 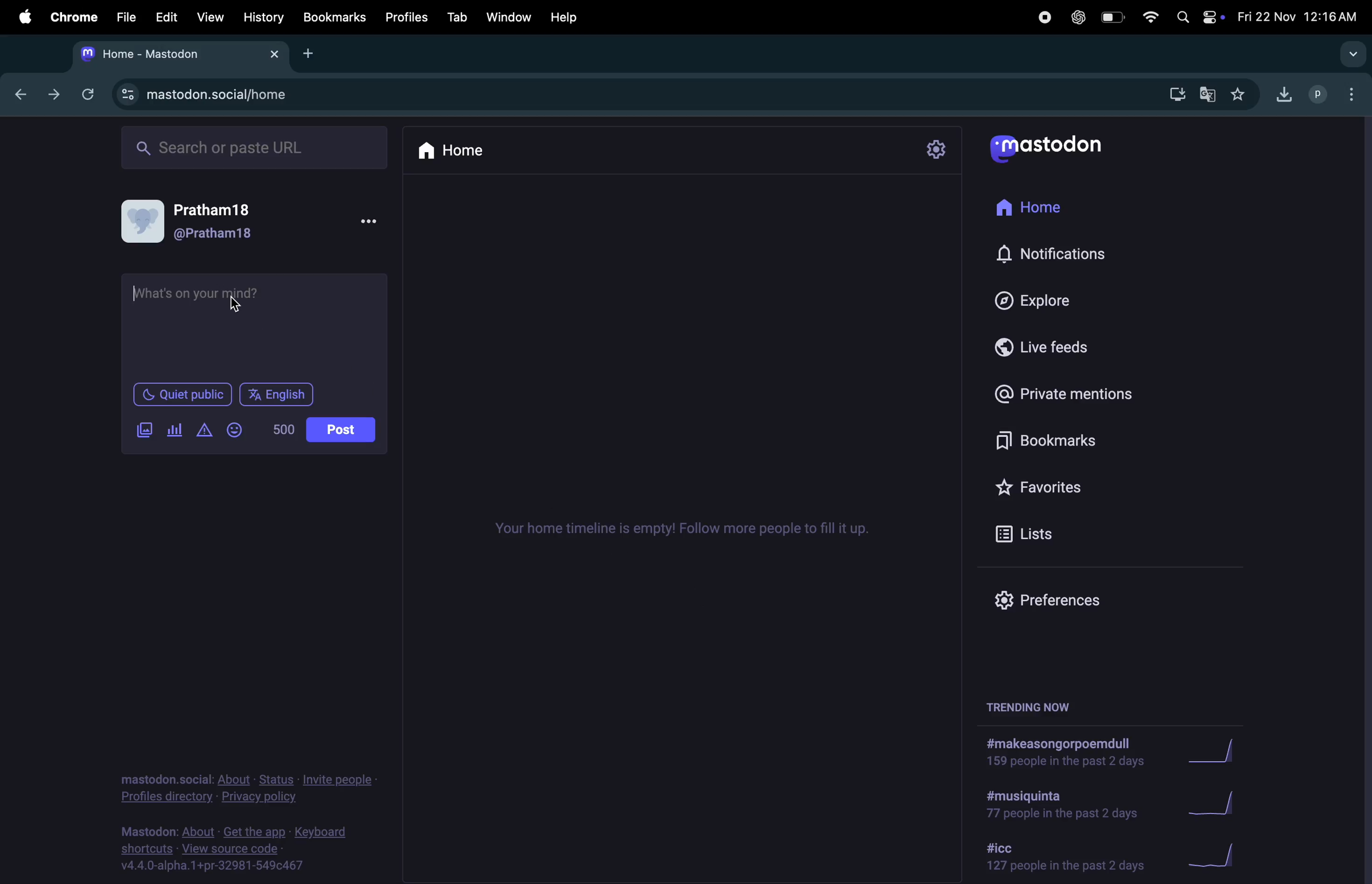 What do you see at coordinates (253, 148) in the screenshot?
I see `search bar` at bounding box center [253, 148].